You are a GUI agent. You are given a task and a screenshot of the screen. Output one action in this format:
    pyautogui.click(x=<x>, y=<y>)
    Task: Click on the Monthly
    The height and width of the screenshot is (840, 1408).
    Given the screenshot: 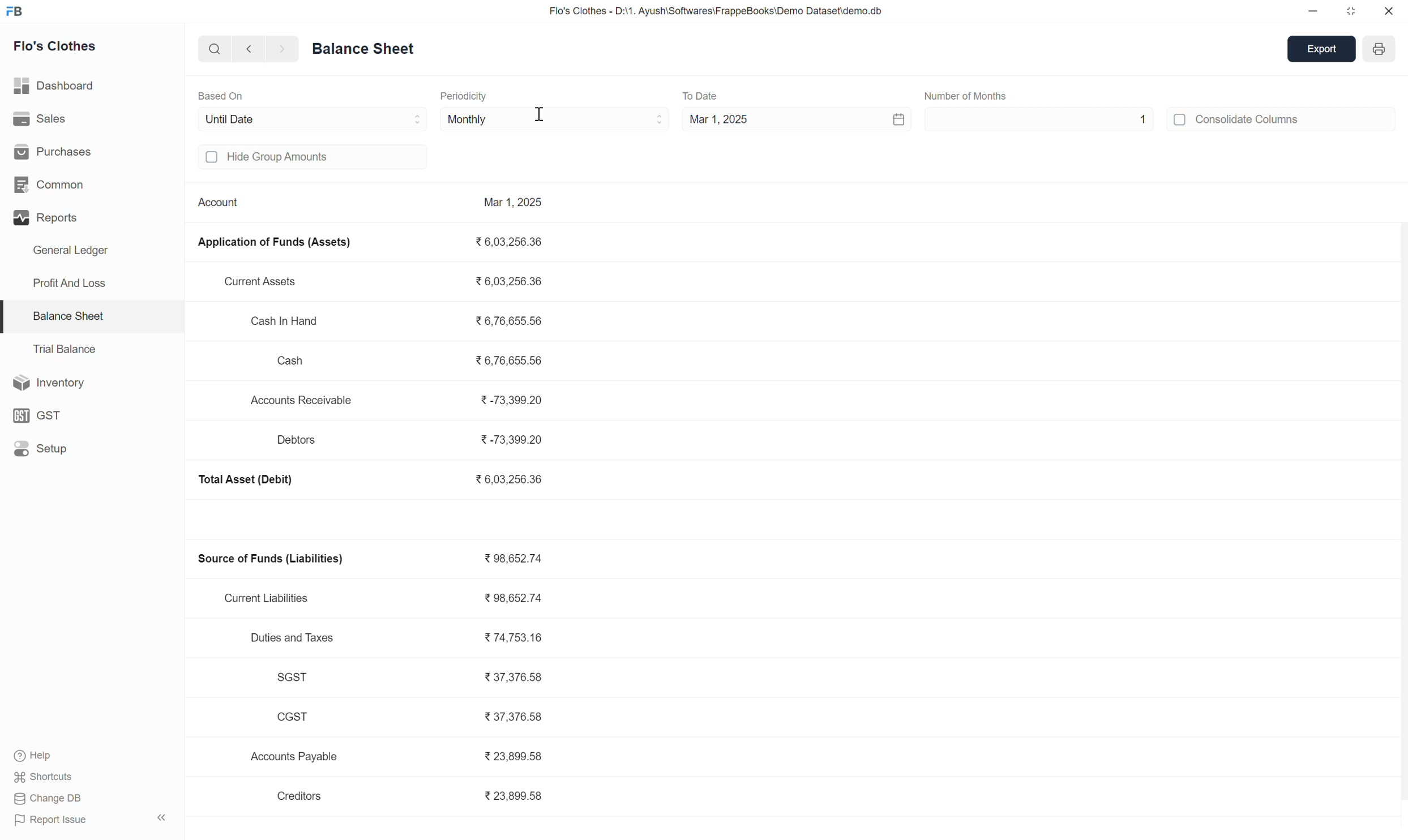 What is the action you would take?
    pyautogui.click(x=550, y=118)
    